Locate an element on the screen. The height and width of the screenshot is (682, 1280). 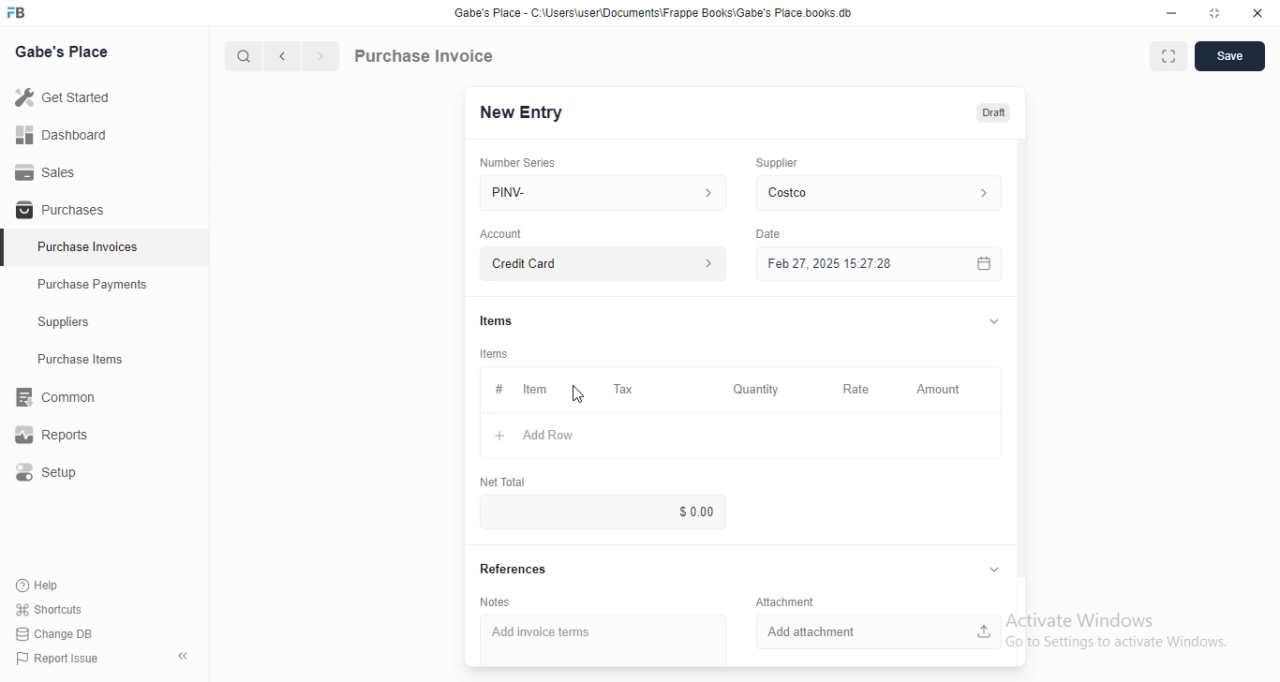
Items is located at coordinates (496, 321).